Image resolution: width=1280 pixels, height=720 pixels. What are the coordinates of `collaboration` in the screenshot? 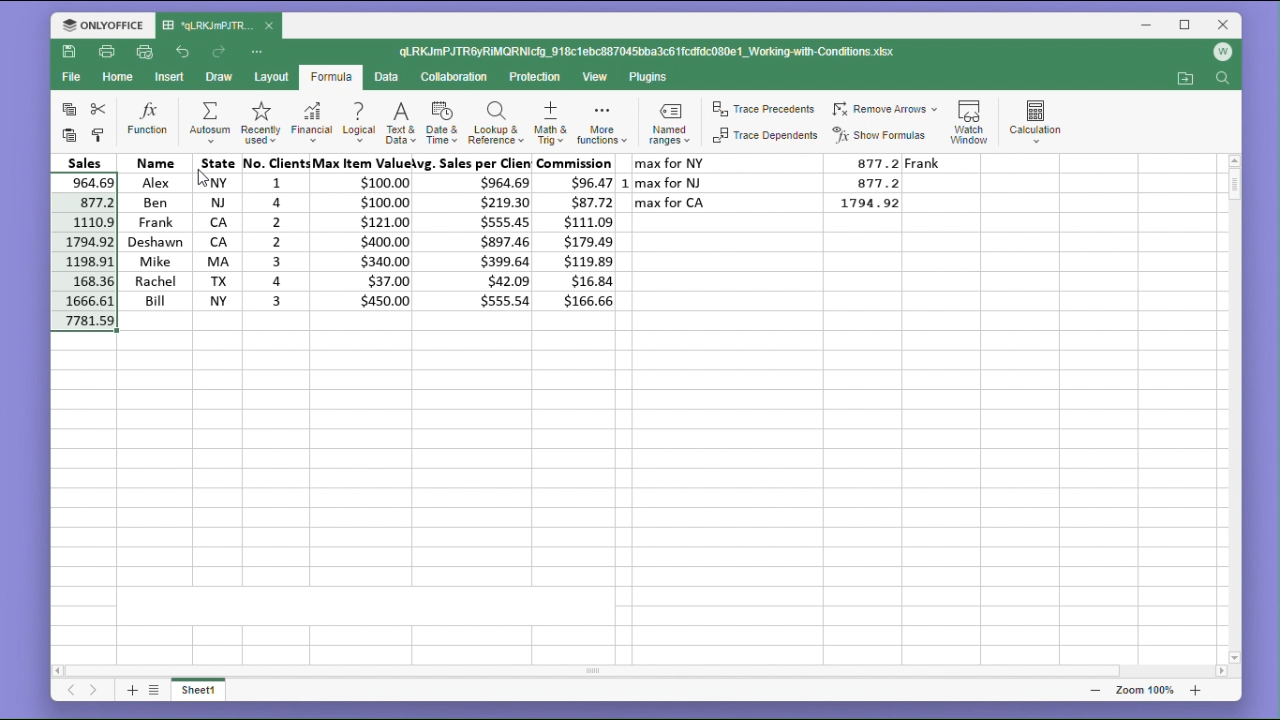 It's located at (458, 78).